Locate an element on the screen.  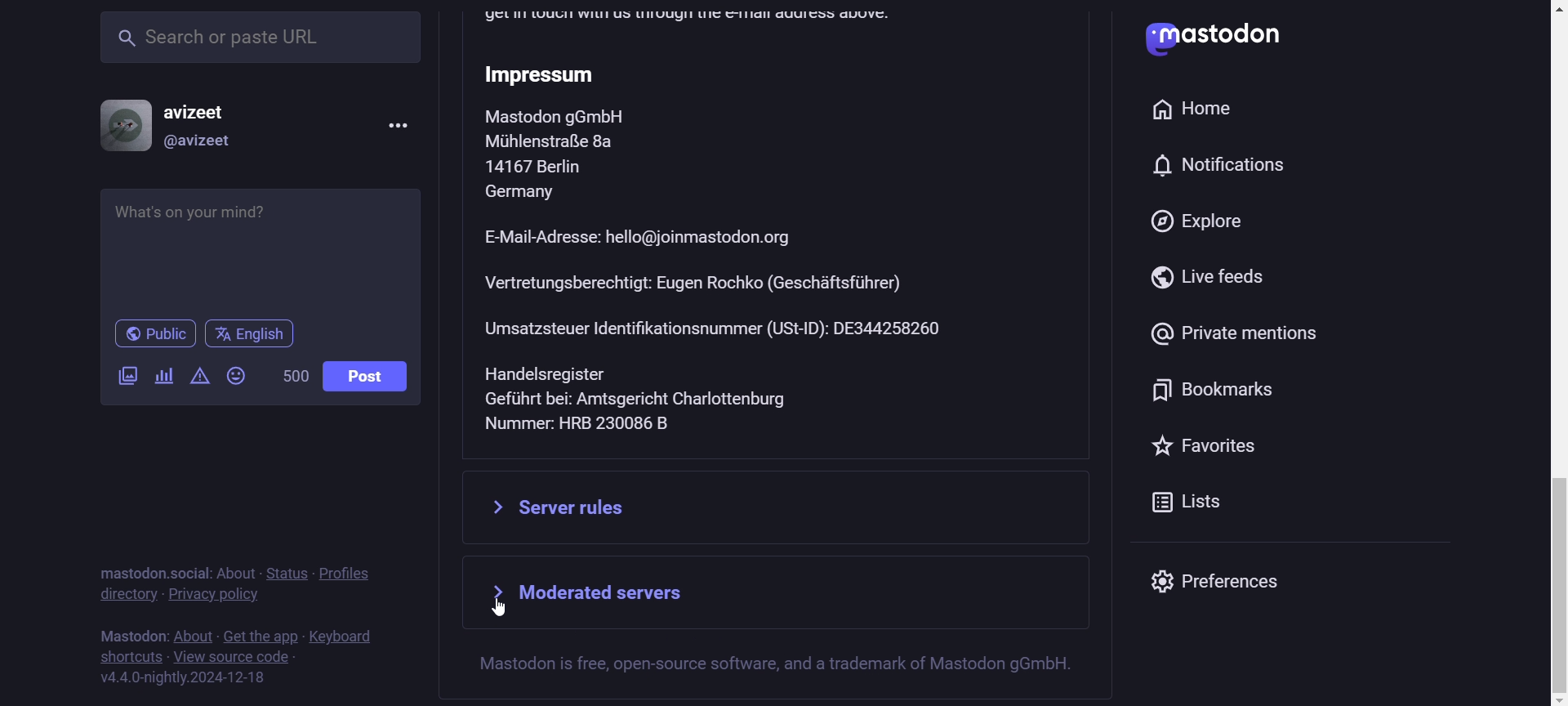
text is located at coordinates (149, 564).